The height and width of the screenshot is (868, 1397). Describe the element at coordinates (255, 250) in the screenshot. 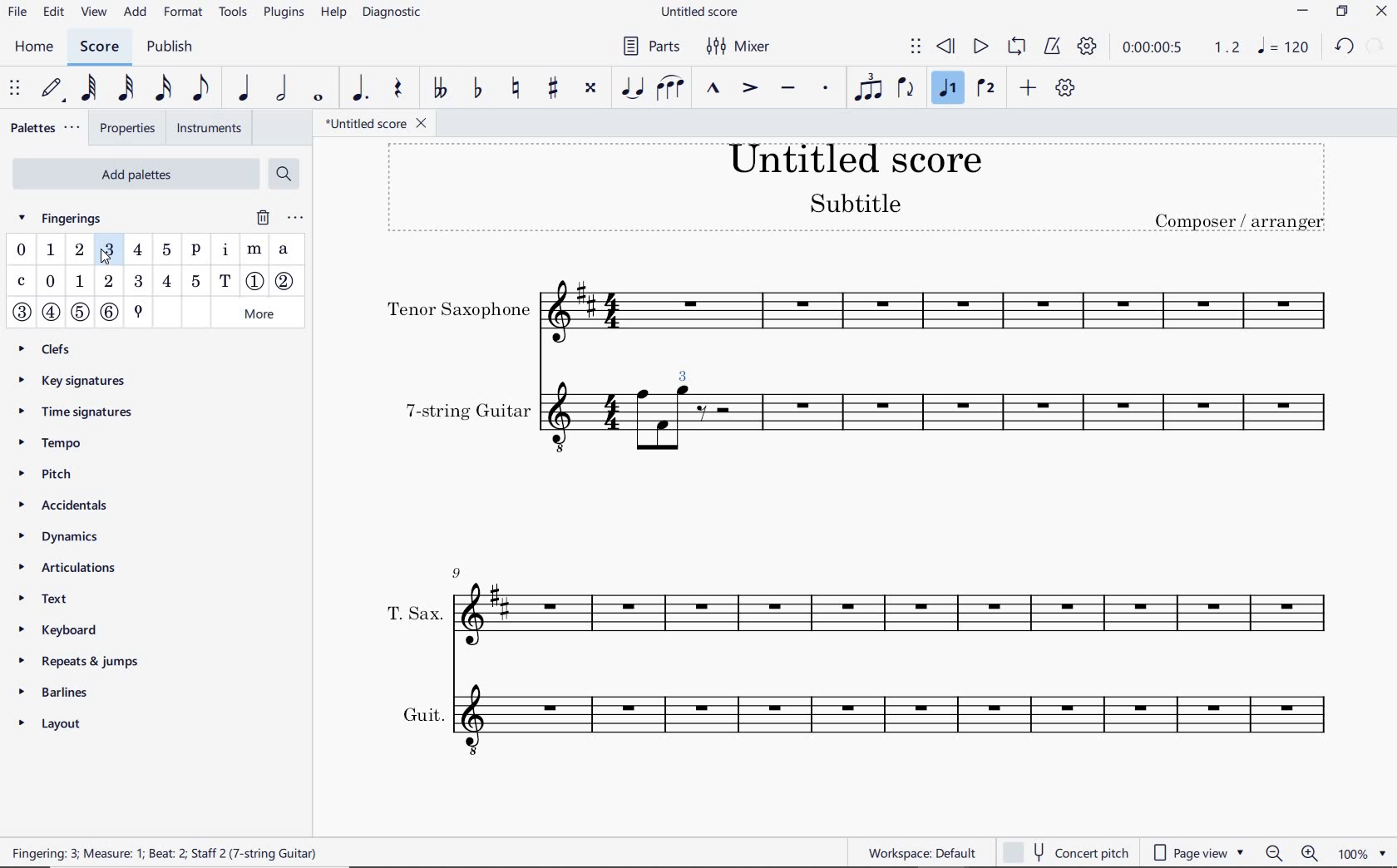

I see `rh guitar fingering m` at that location.